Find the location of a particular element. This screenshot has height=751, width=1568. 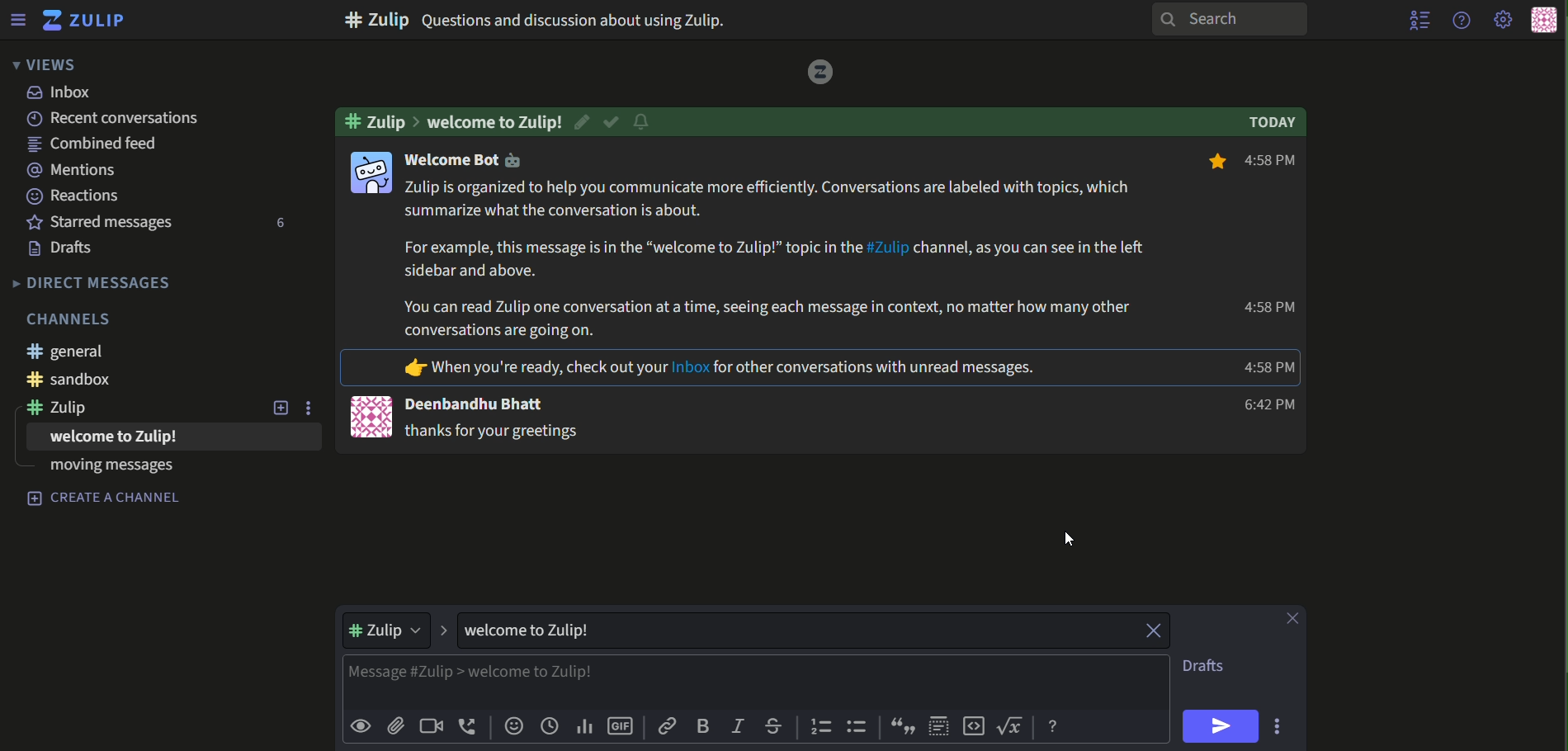

number is located at coordinates (276, 224).